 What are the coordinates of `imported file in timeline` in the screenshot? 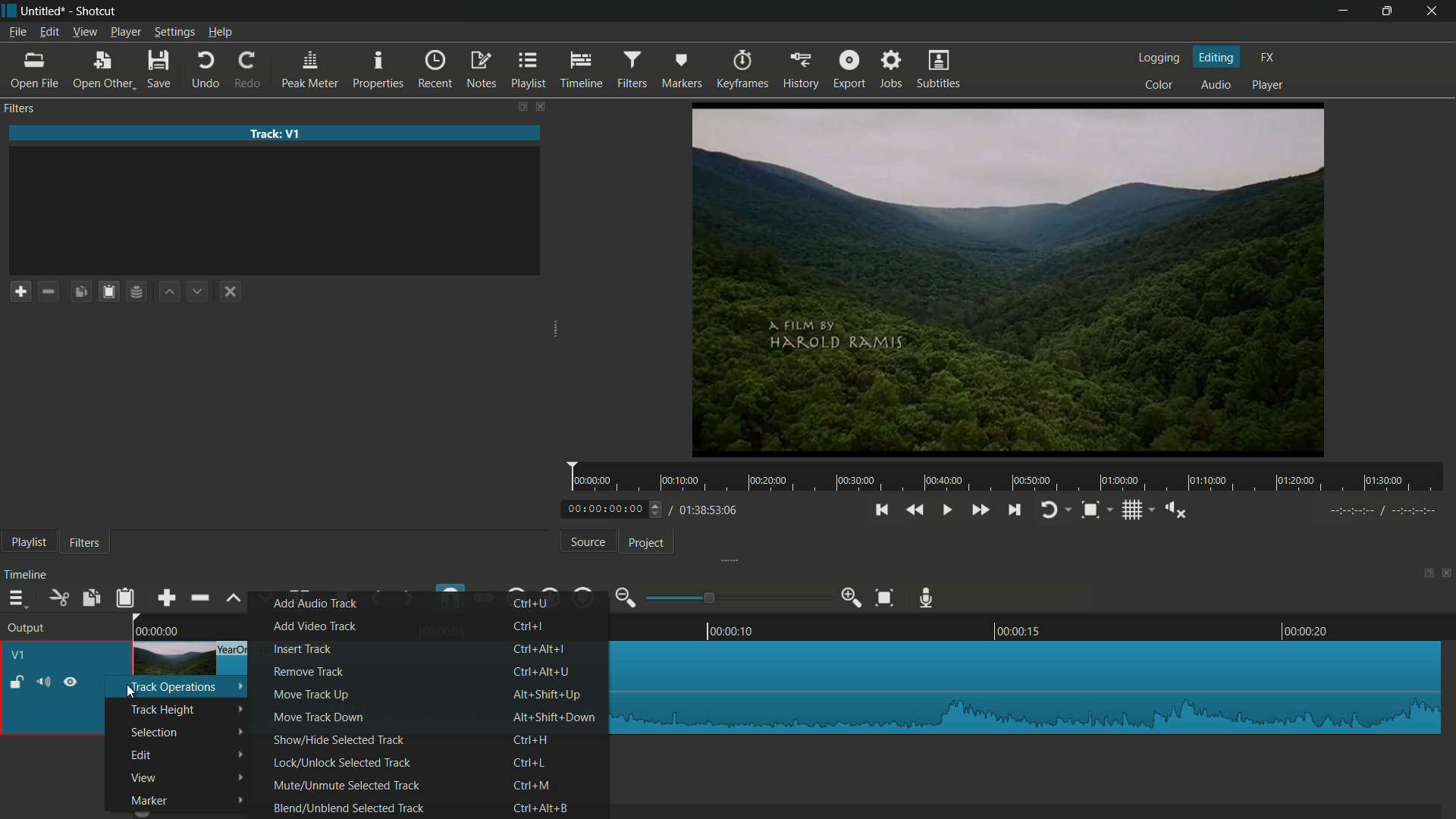 It's located at (1029, 686).